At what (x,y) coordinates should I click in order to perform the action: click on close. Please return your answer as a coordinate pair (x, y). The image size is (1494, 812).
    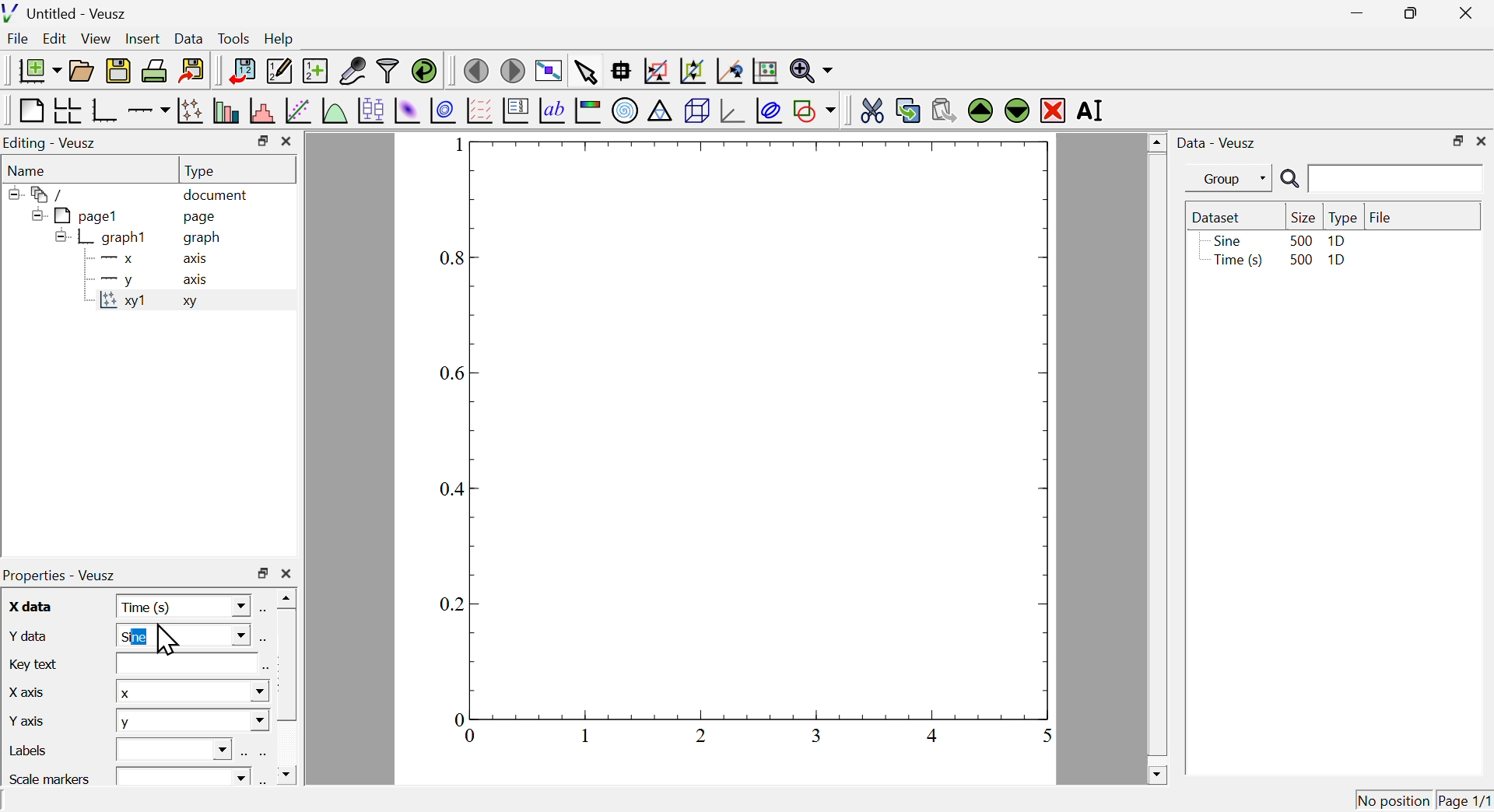
    Looking at the image, I should click on (286, 574).